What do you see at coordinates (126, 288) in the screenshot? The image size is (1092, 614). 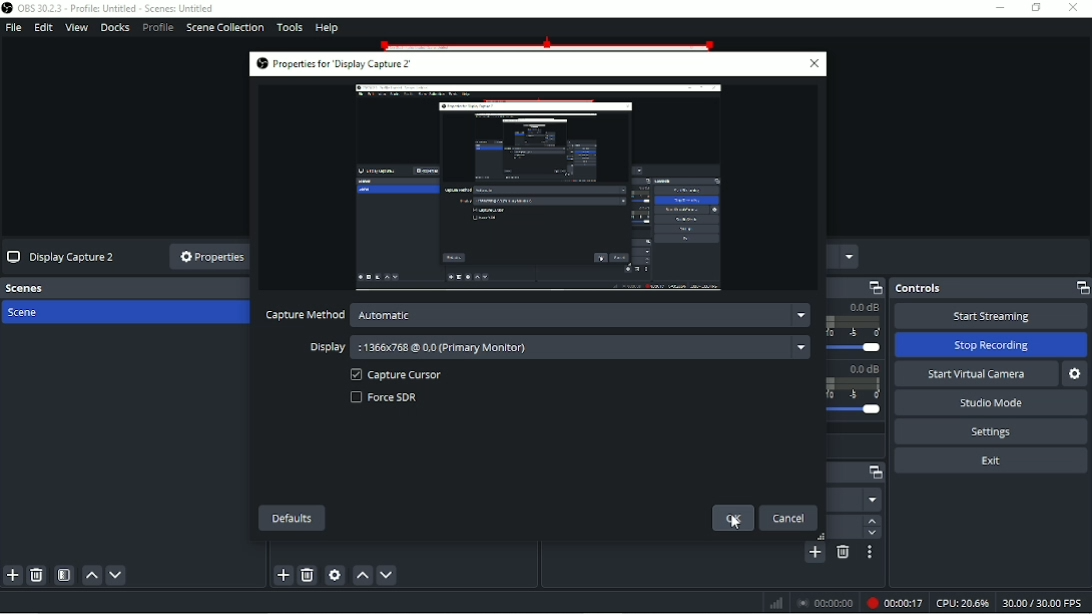 I see `Scenes` at bounding box center [126, 288].